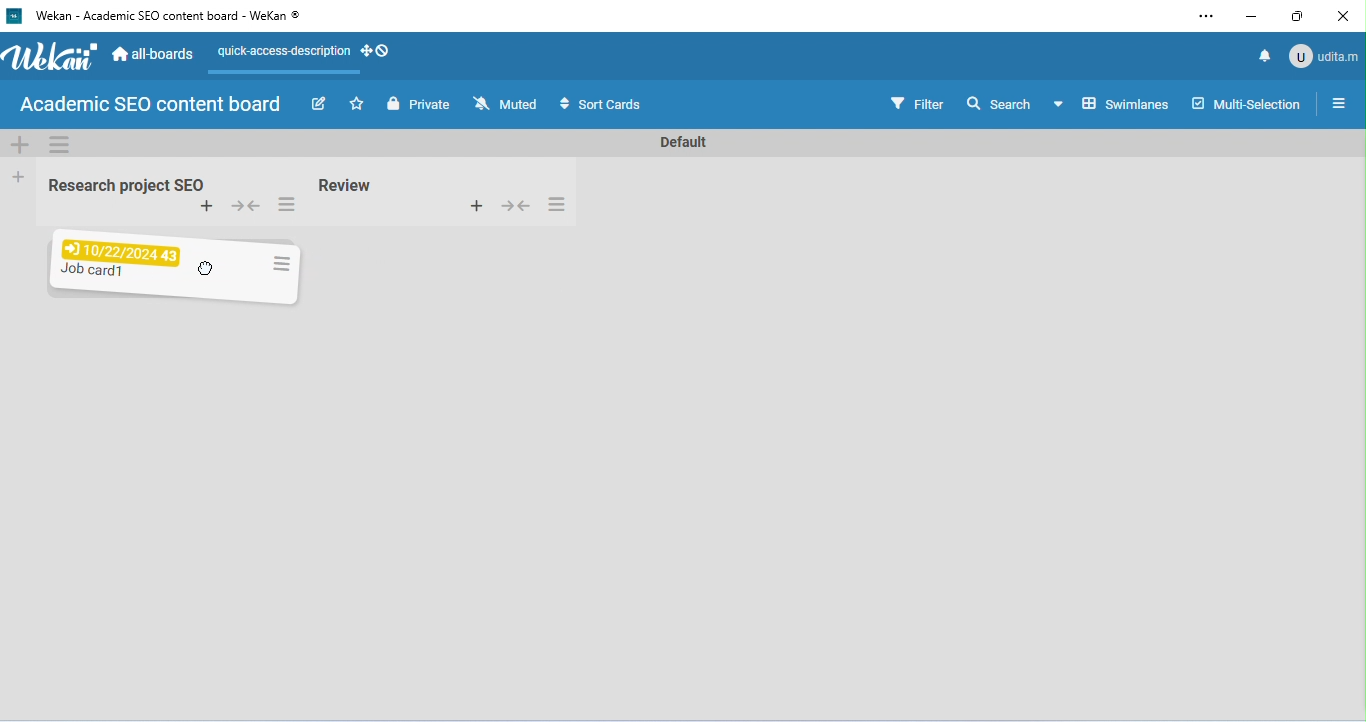 The height and width of the screenshot is (722, 1366). What do you see at coordinates (998, 102) in the screenshot?
I see `search` at bounding box center [998, 102].